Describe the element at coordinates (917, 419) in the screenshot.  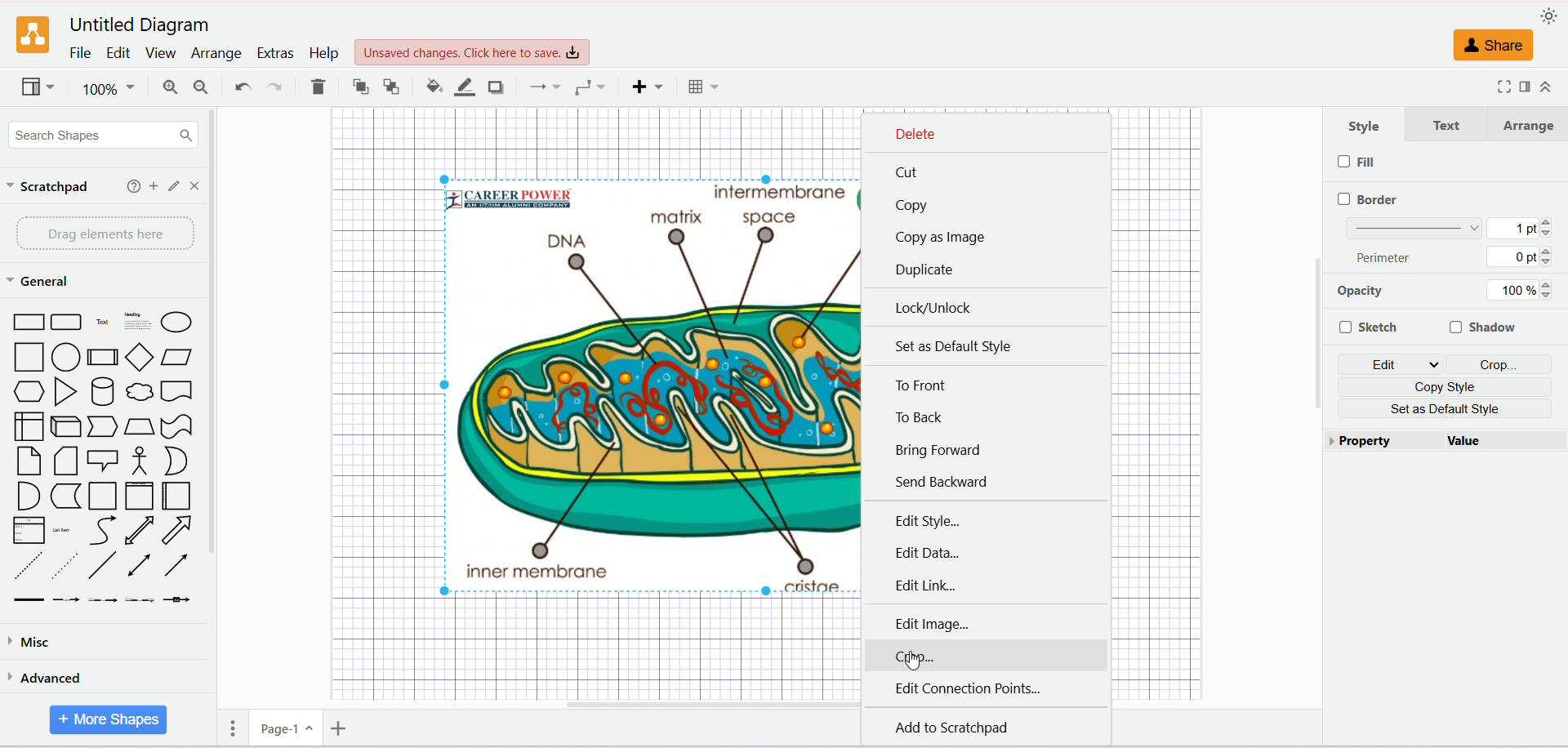
I see `to back` at that location.